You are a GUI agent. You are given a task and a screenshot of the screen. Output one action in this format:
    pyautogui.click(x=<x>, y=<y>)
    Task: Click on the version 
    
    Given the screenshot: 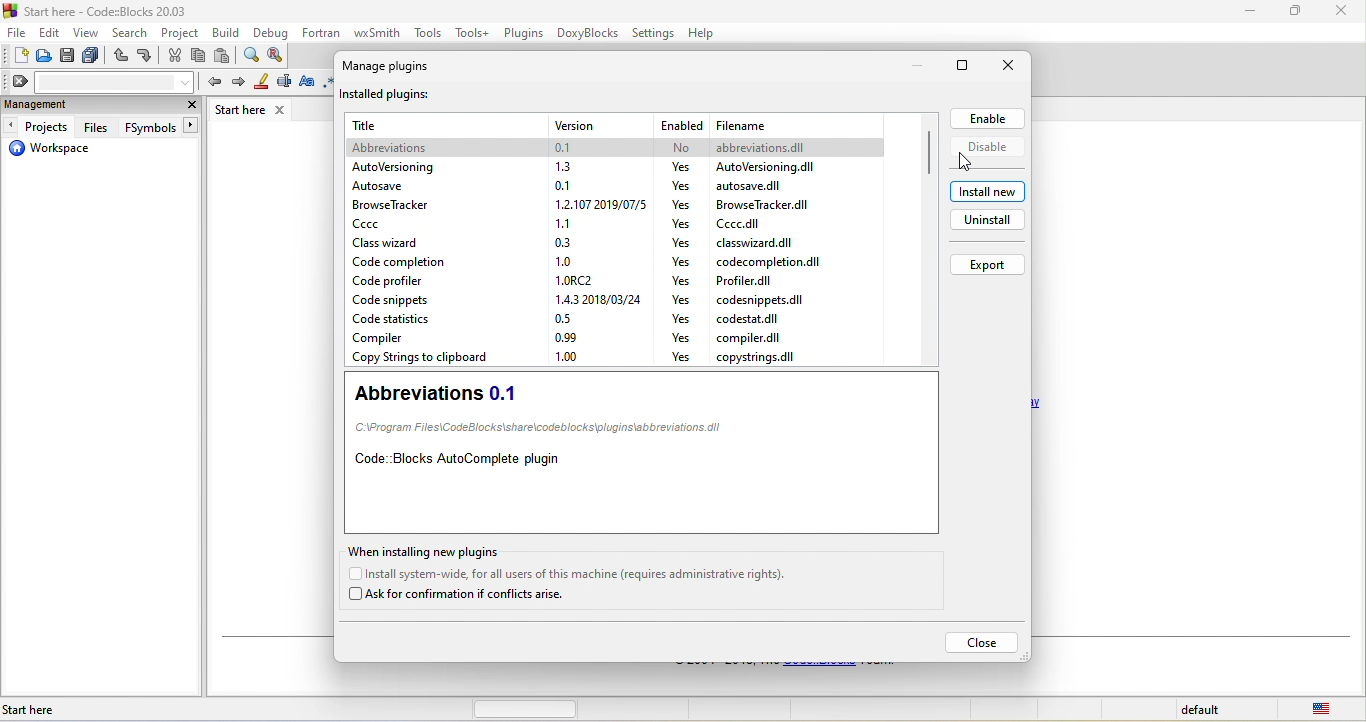 What is the action you would take?
    pyautogui.click(x=567, y=354)
    